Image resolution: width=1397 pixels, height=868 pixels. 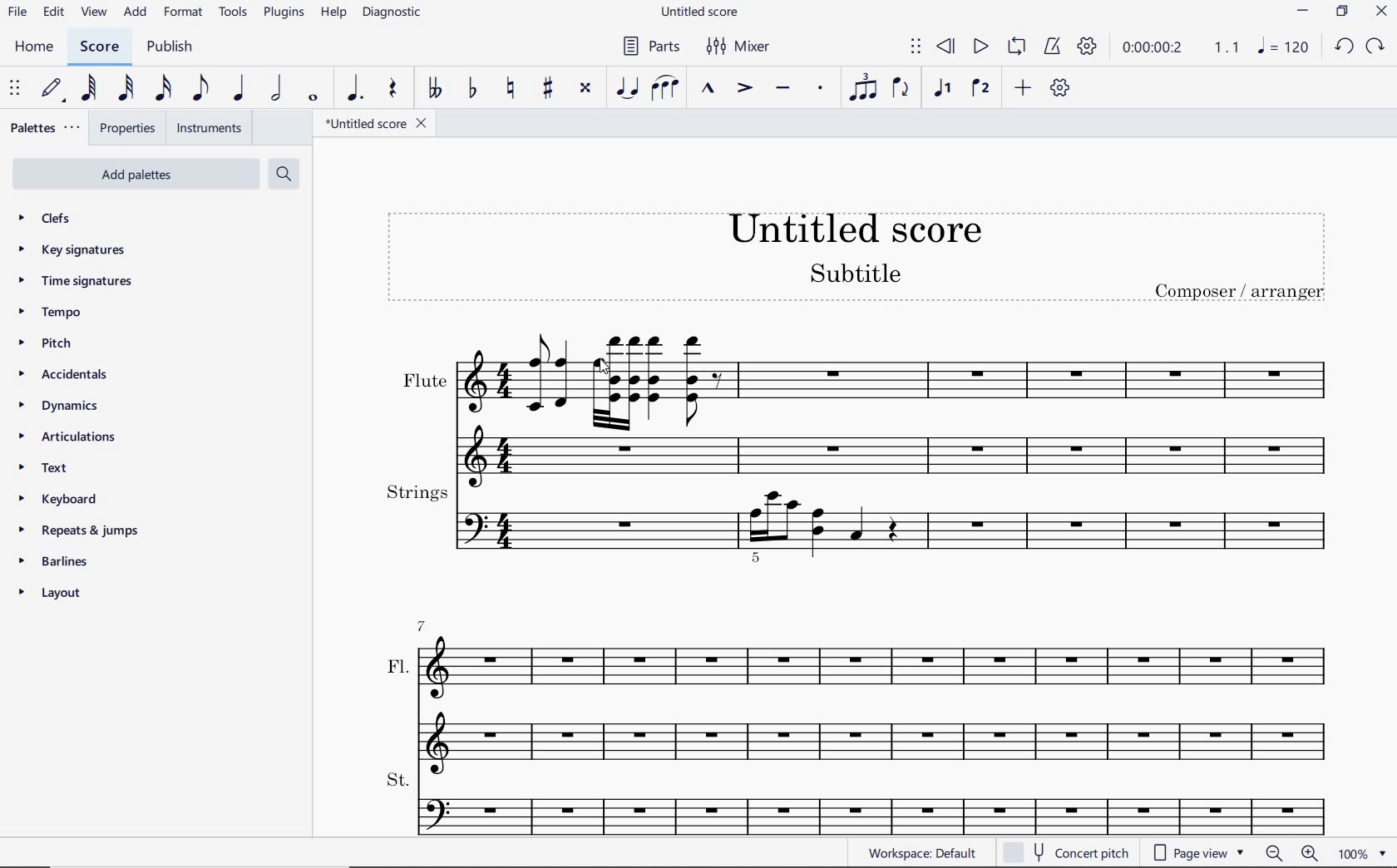 What do you see at coordinates (77, 501) in the screenshot?
I see `keyboard` at bounding box center [77, 501].